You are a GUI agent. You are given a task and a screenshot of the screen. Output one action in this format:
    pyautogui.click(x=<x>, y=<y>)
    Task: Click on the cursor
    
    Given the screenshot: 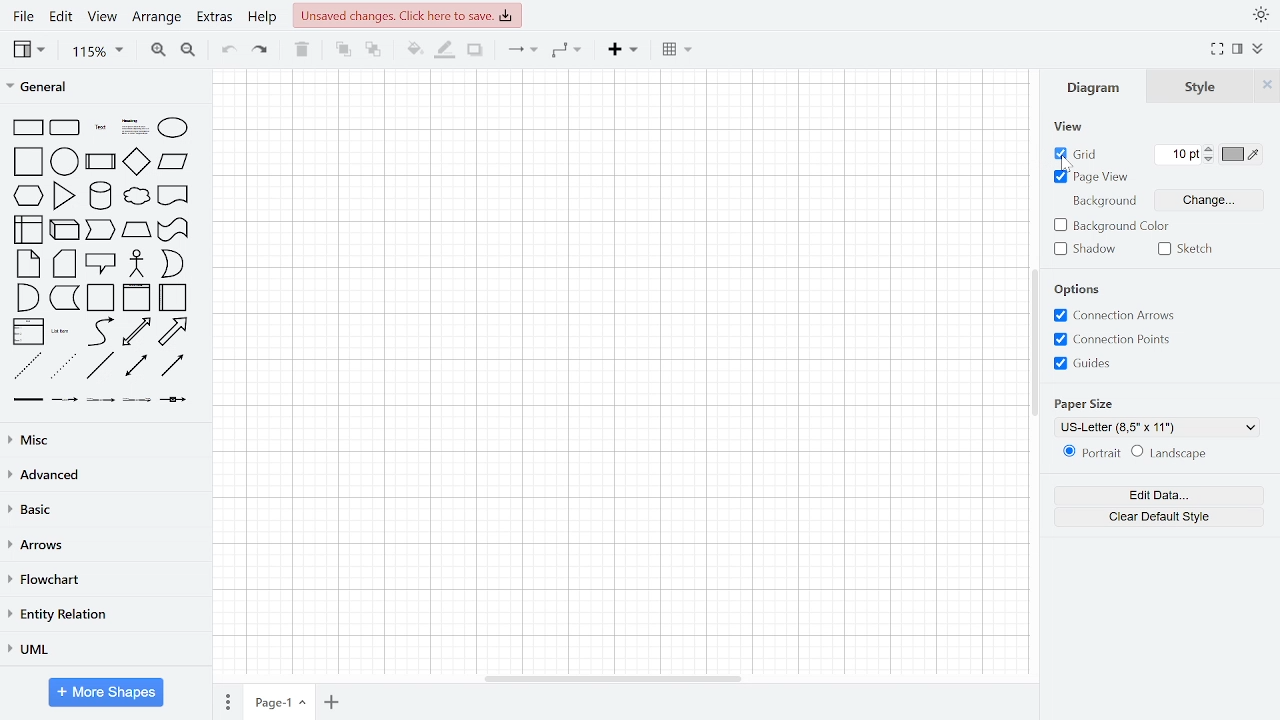 What is the action you would take?
    pyautogui.click(x=1069, y=165)
    